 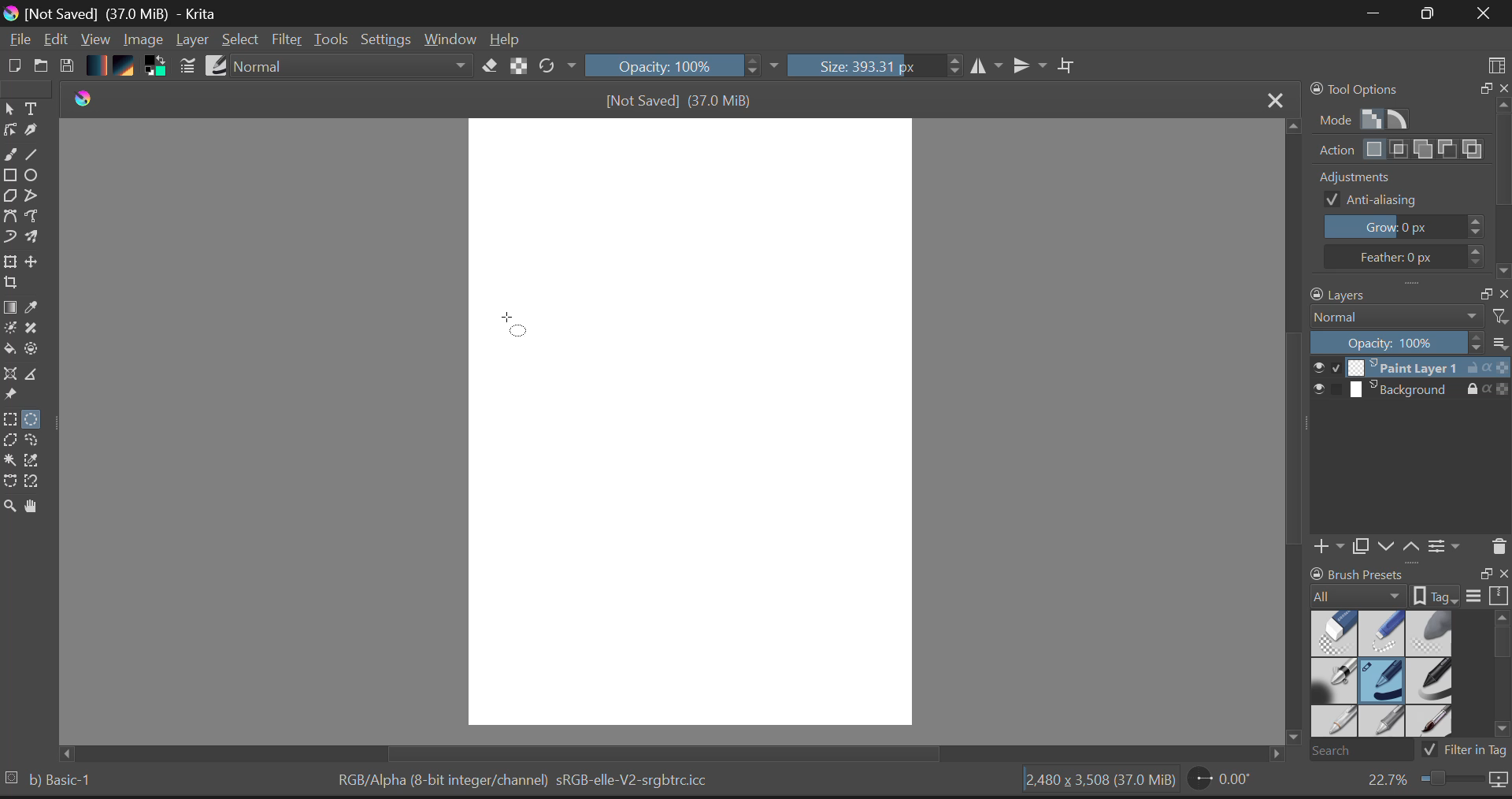 What do you see at coordinates (37, 483) in the screenshot?
I see `Magnetic Selection` at bounding box center [37, 483].